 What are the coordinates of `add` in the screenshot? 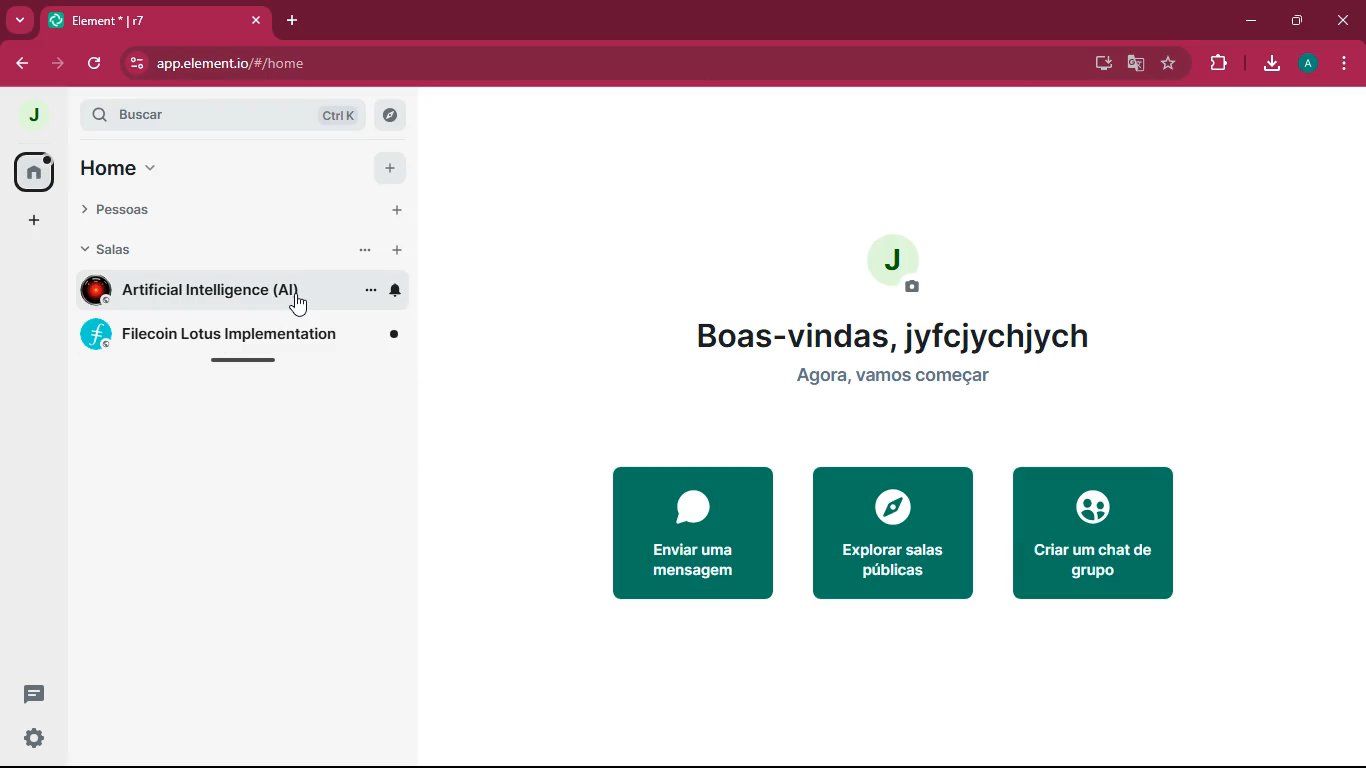 It's located at (389, 167).